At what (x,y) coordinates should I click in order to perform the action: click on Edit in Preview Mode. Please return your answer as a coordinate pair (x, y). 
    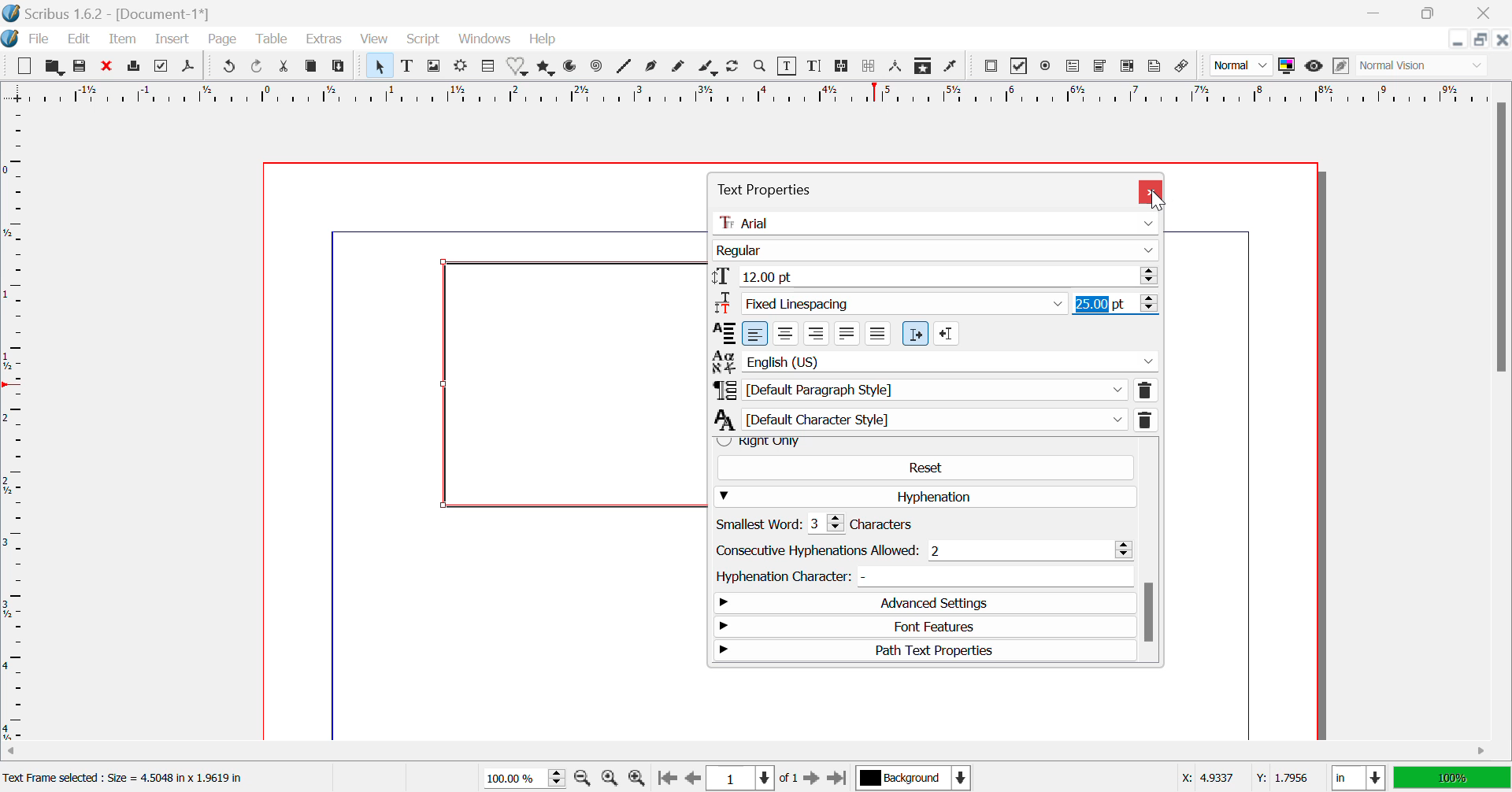
    Looking at the image, I should click on (1341, 68).